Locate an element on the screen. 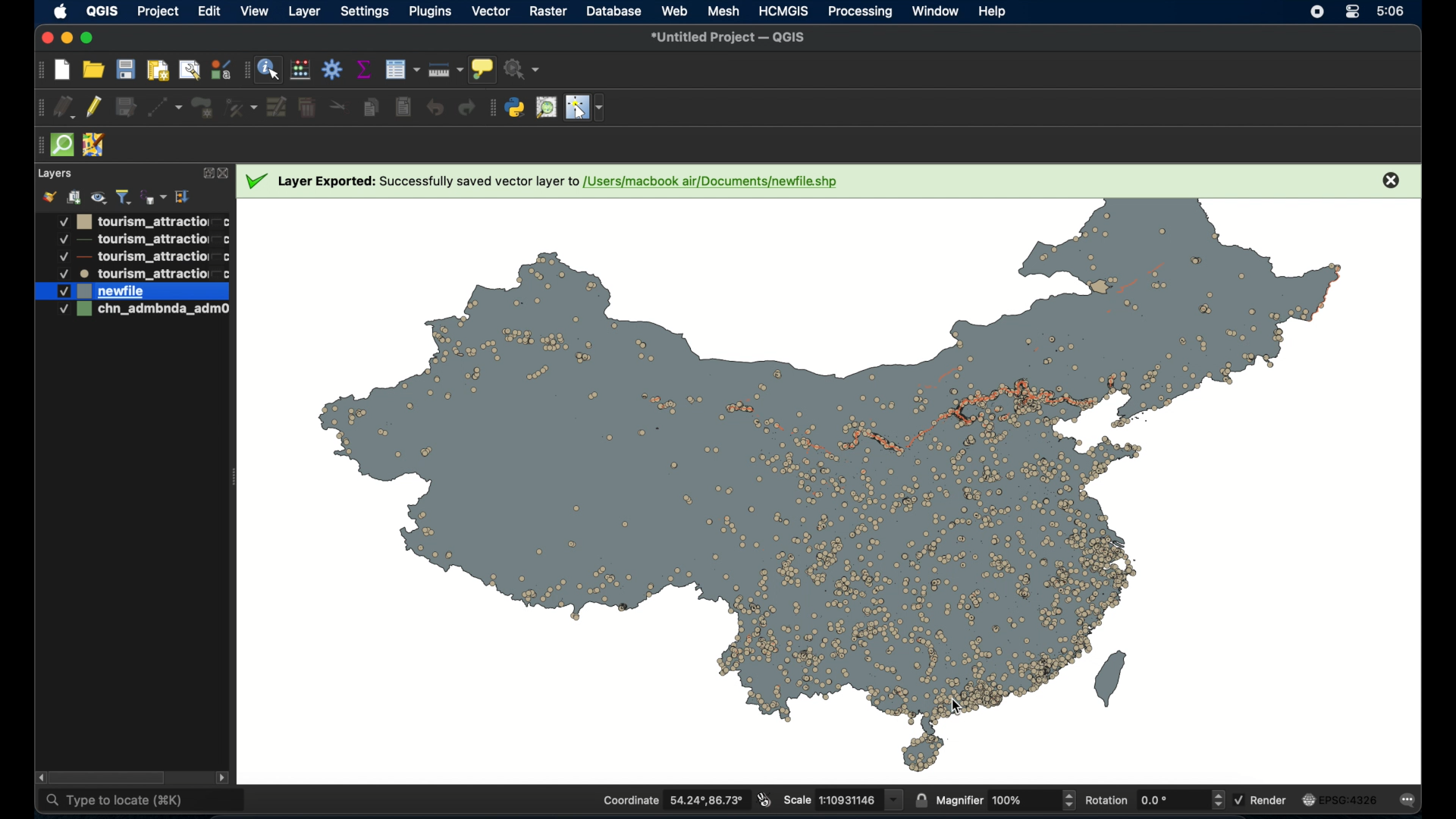 The image size is (1456, 819). identify feature is located at coordinates (268, 69).